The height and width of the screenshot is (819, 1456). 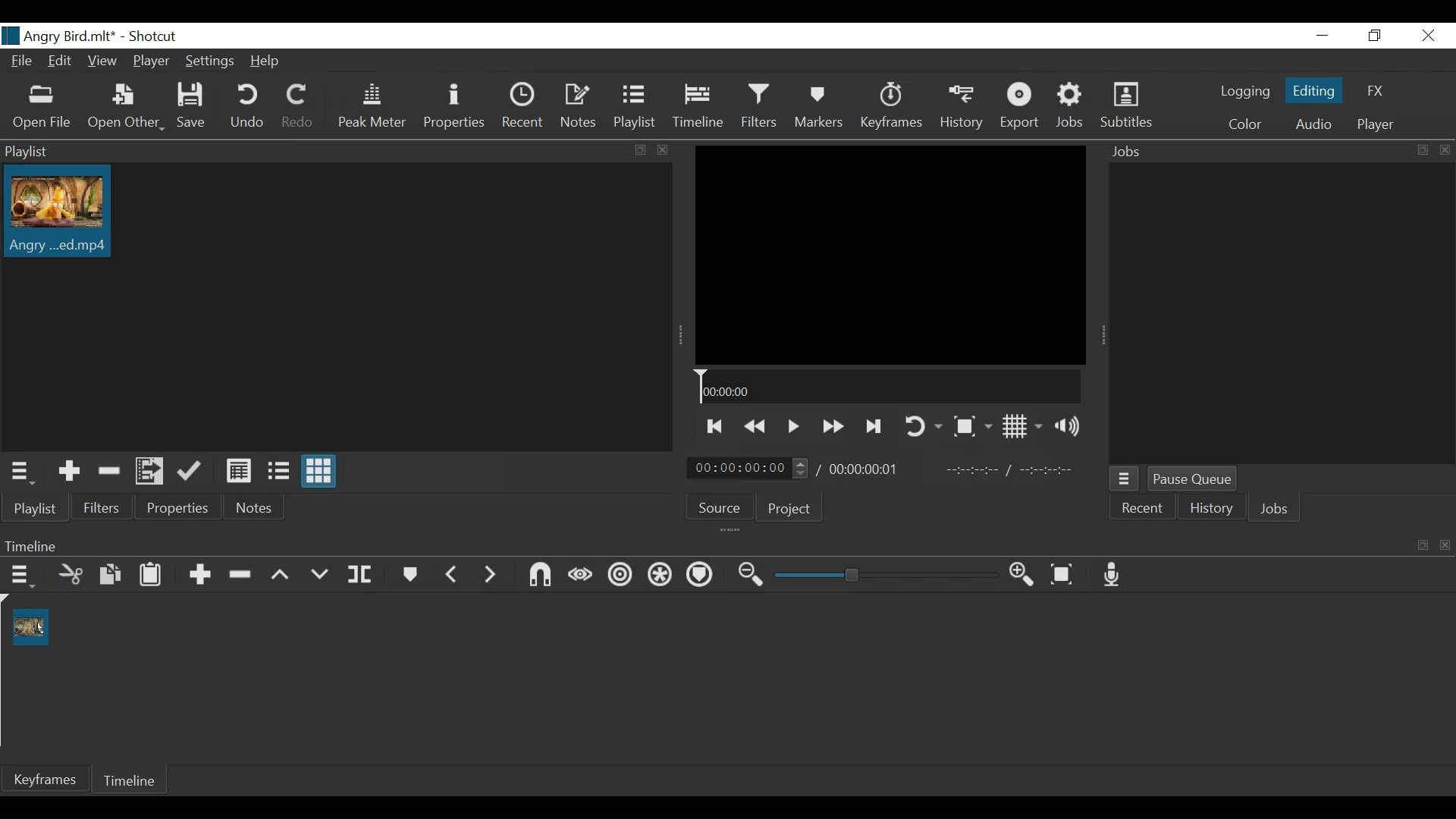 What do you see at coordinates (1125, 479) in the screenshot?
I see `Jobs menu` at bounding box center [1125, 479].